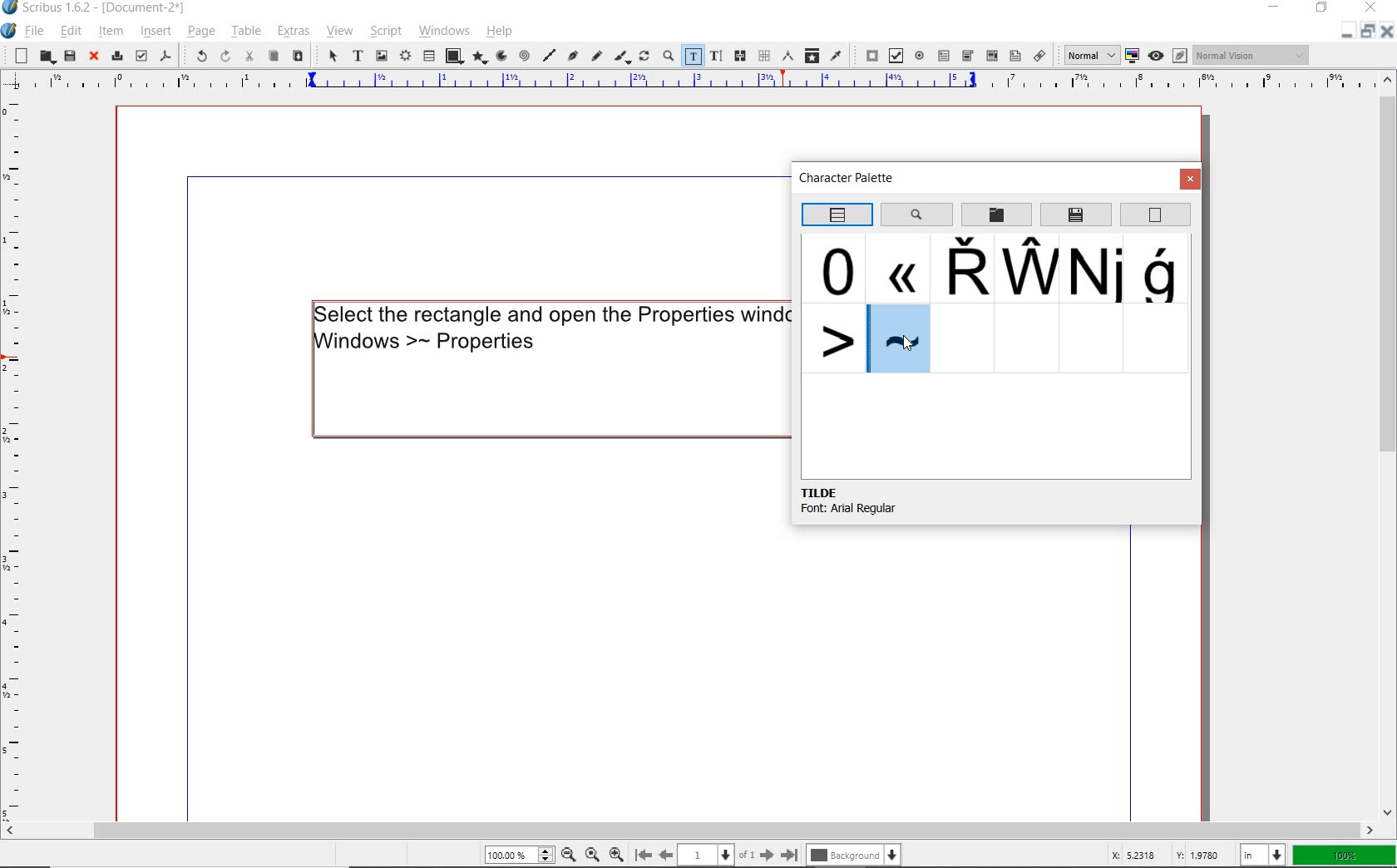  What do you see at coordinates (69, 56) in the screenshot?
I see `save` at bounding box center [69, 56].